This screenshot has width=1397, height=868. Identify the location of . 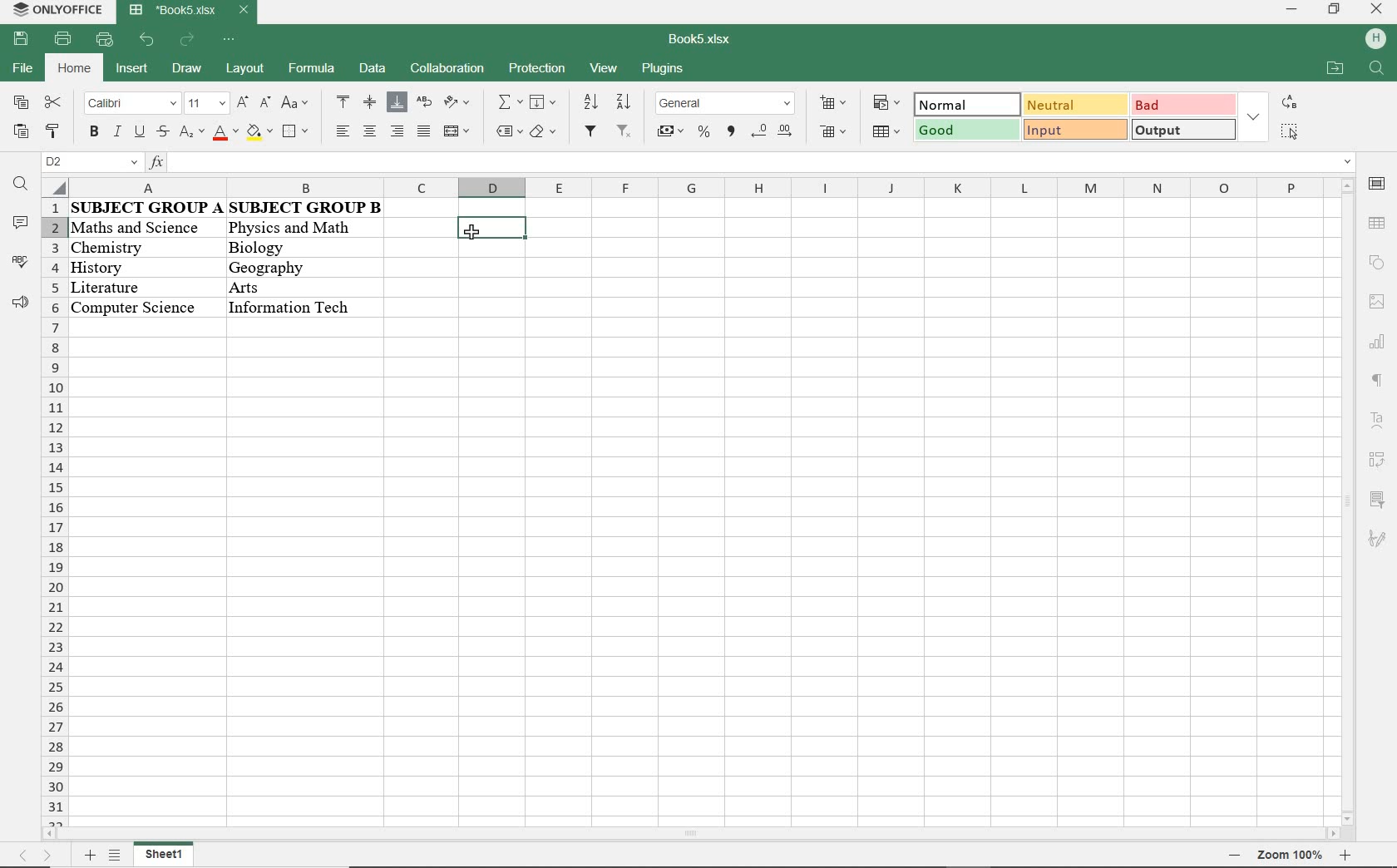
(293, 307).